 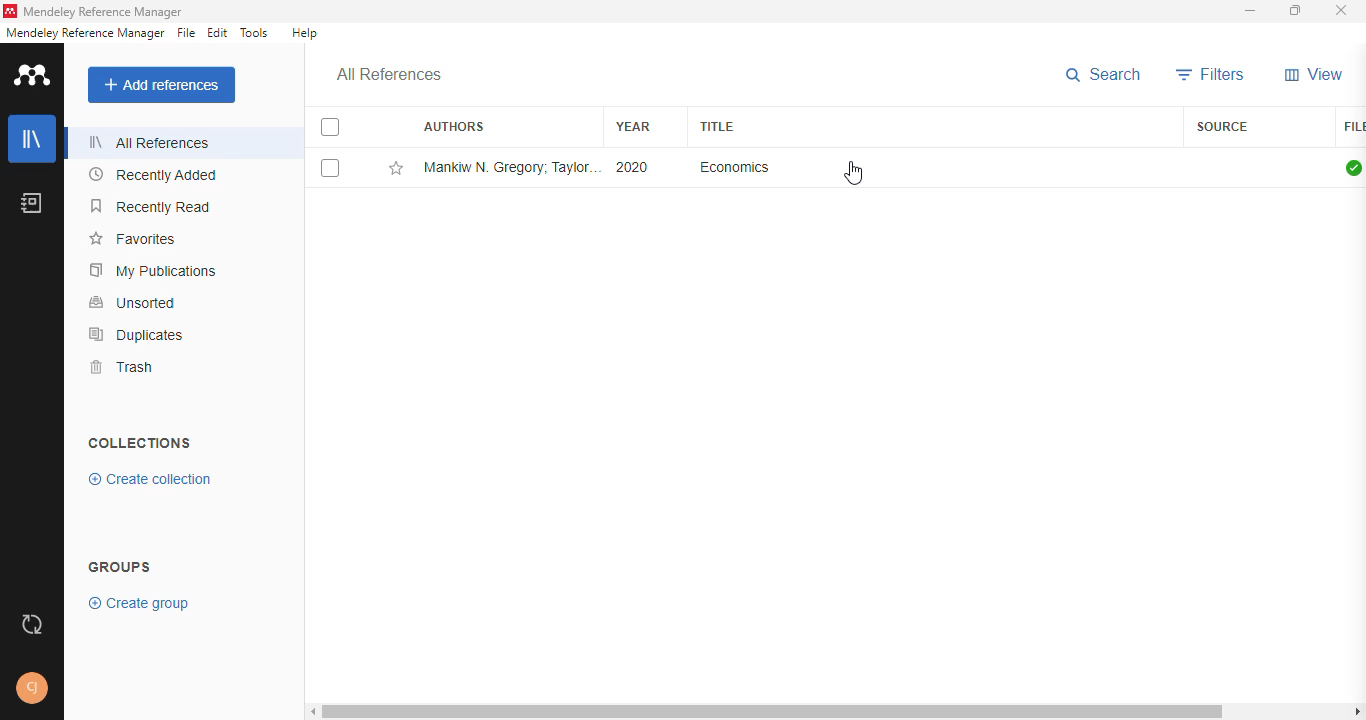 What do you see at coordinates (152, 174) in the screenshot?
I see `recently added` at bounding box center [152, 174].